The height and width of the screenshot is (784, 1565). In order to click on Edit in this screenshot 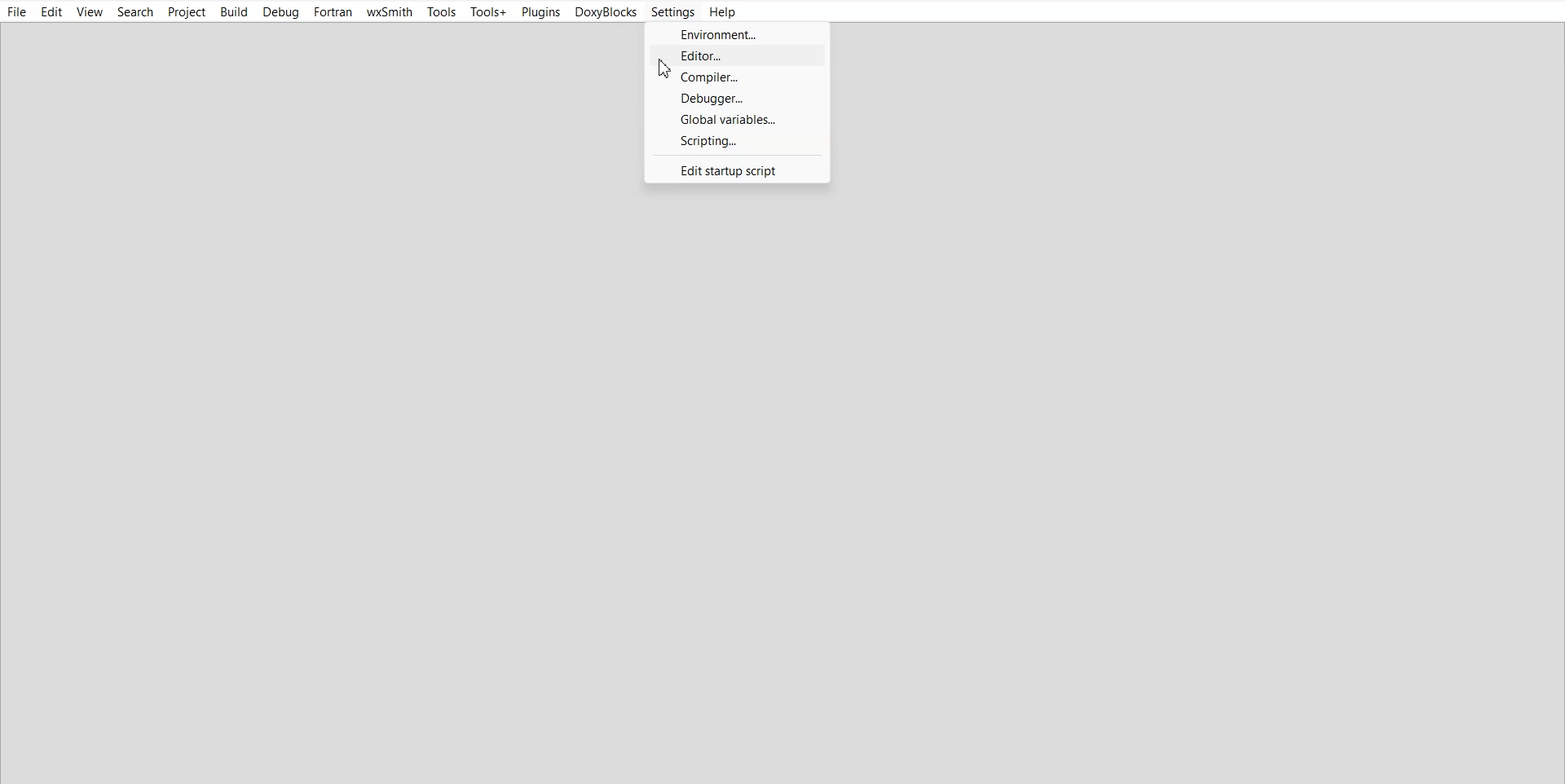, I will do `click(53, 12)`.